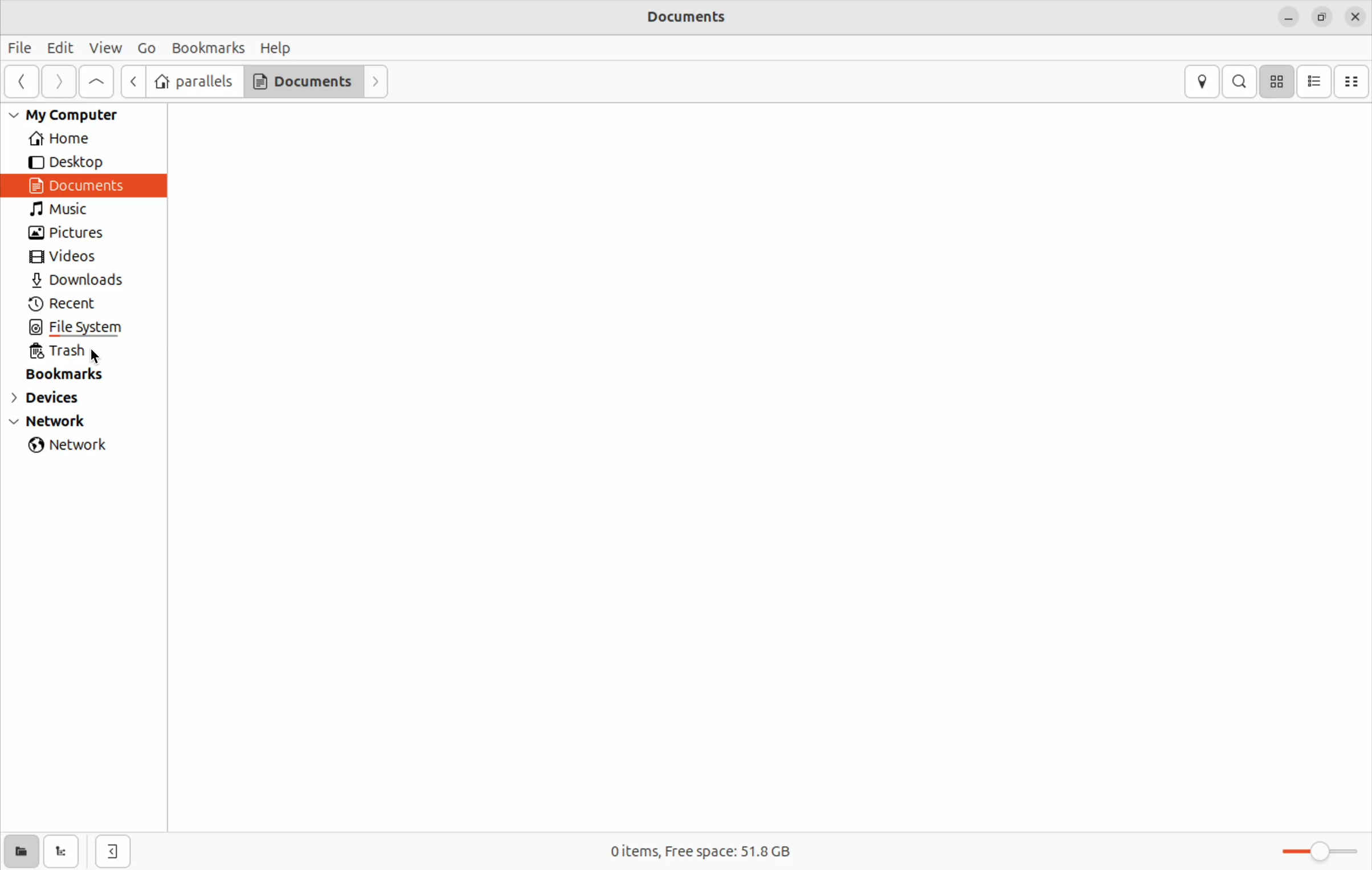 This screenshot has width=1372, height=870. Describe the element at coordinates (106, 49) in the screenshot. I see `view` at that location.